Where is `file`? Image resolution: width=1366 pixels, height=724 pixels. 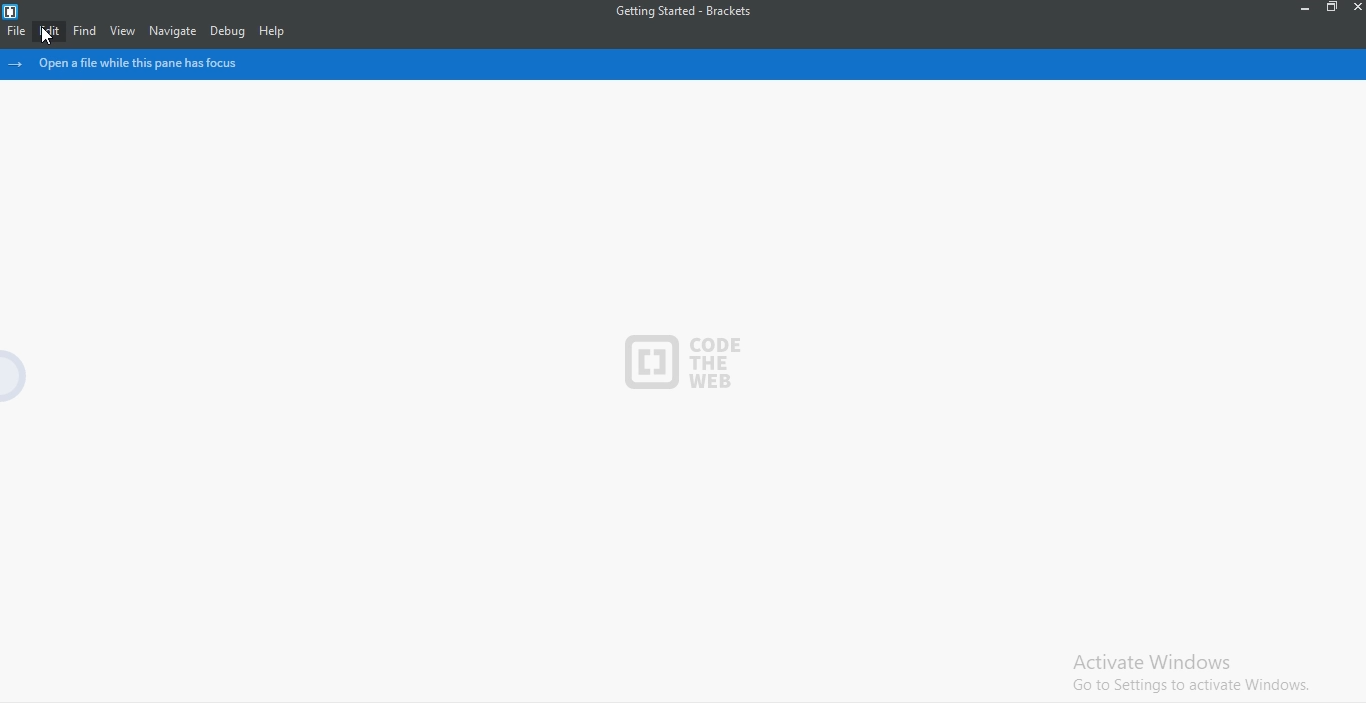 file is located at coordinates (16, 32).